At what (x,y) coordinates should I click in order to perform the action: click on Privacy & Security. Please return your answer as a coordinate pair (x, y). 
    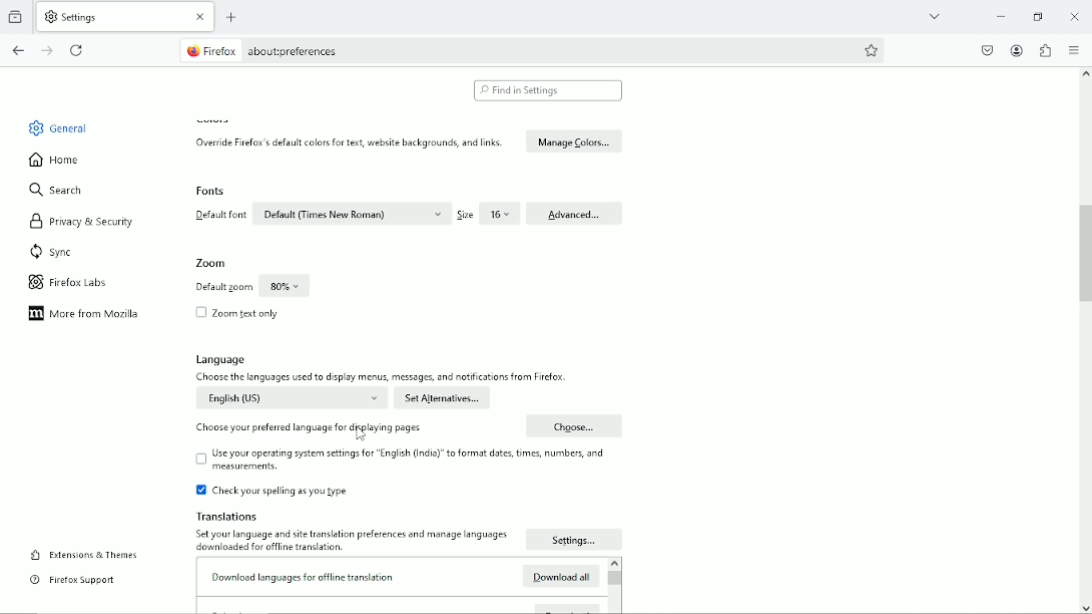
    Looking at the image, I should click on (96, 221).